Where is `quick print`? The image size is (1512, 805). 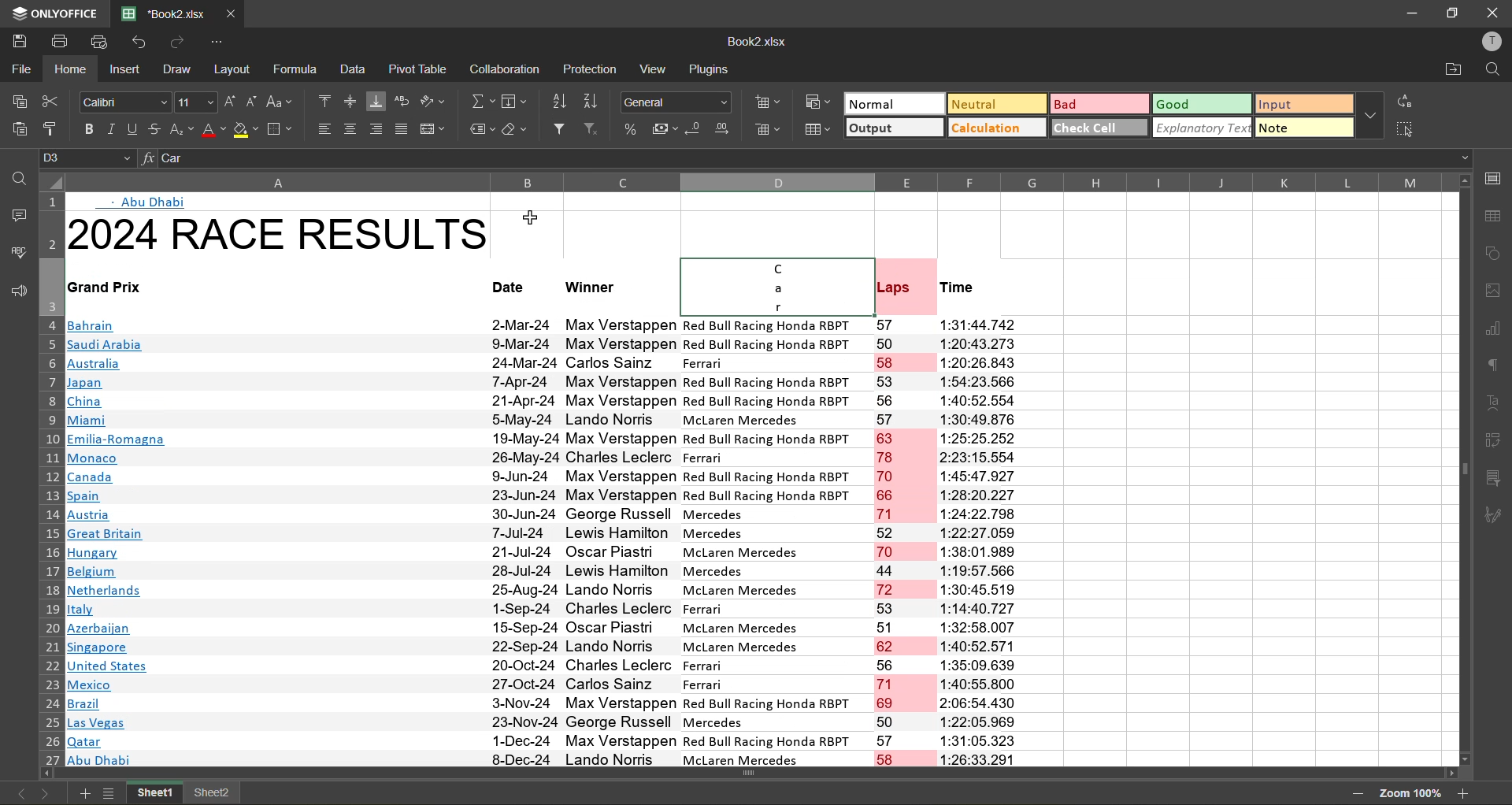
quick print is located at coordinates (99, 39).